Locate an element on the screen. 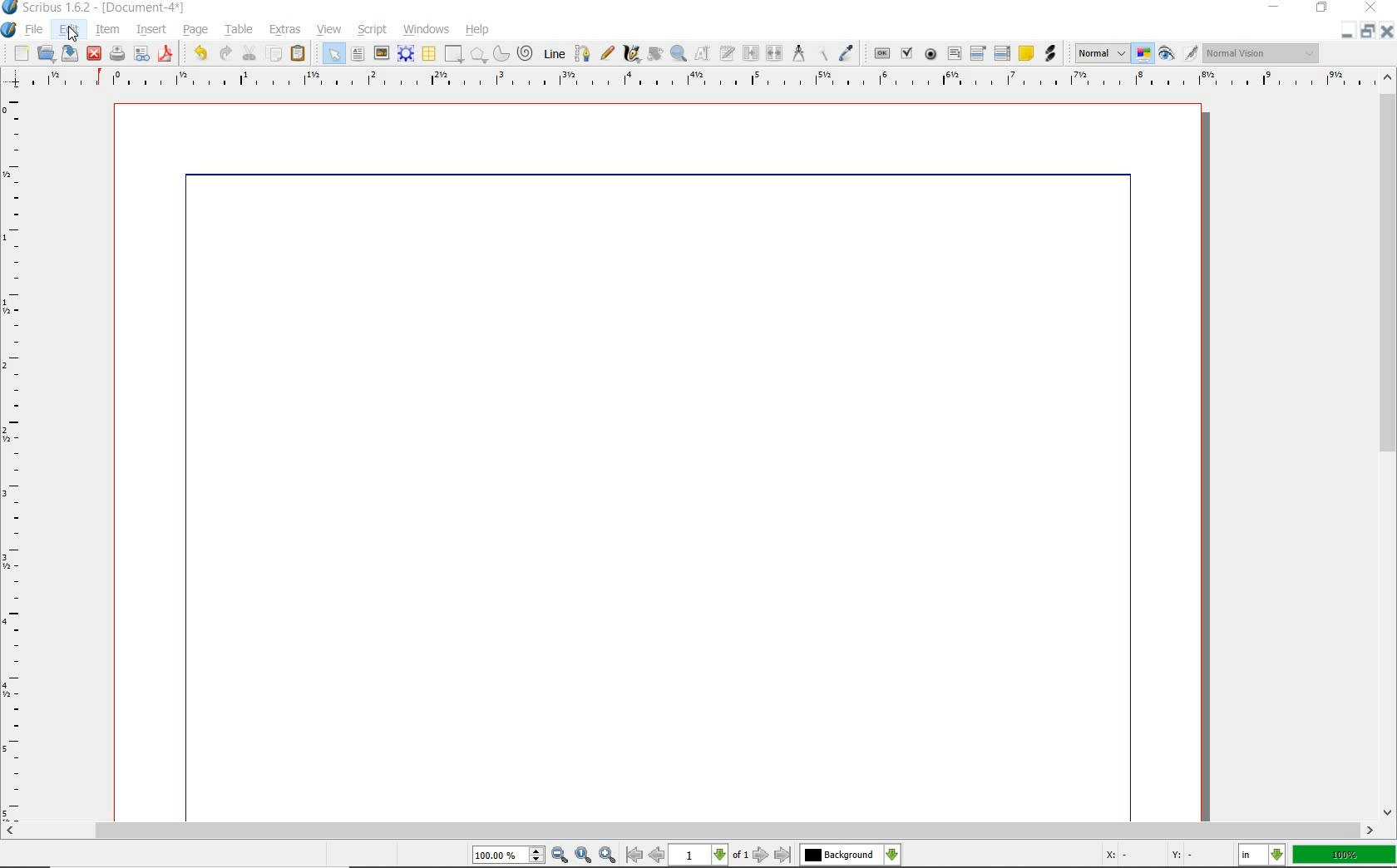 This screenshot has width=1397, height=868. close is located at coordinates (94, 52).